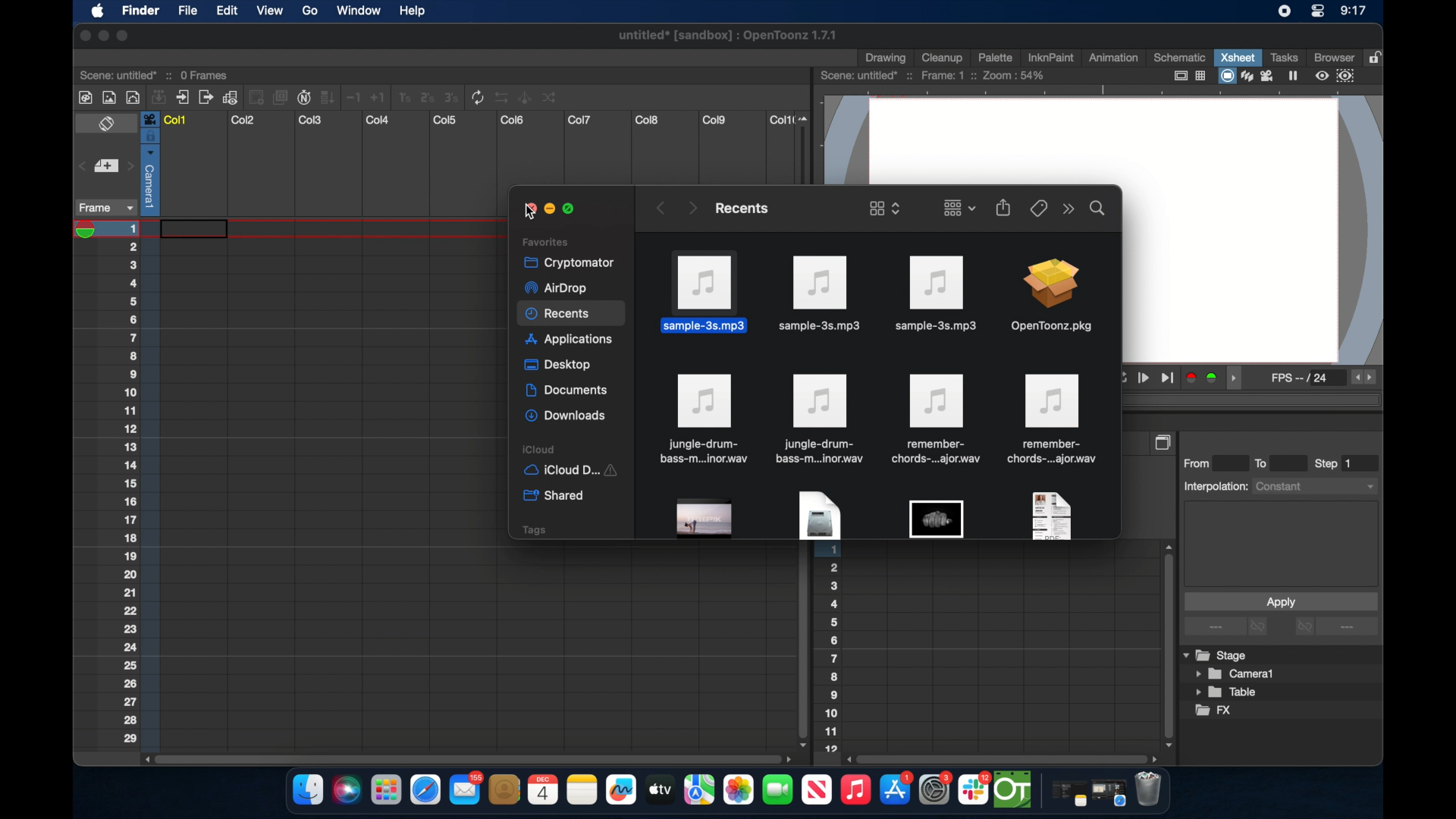 The width and height of the screenshot is (1456, 819). I want to click on help, so click(412, 11).